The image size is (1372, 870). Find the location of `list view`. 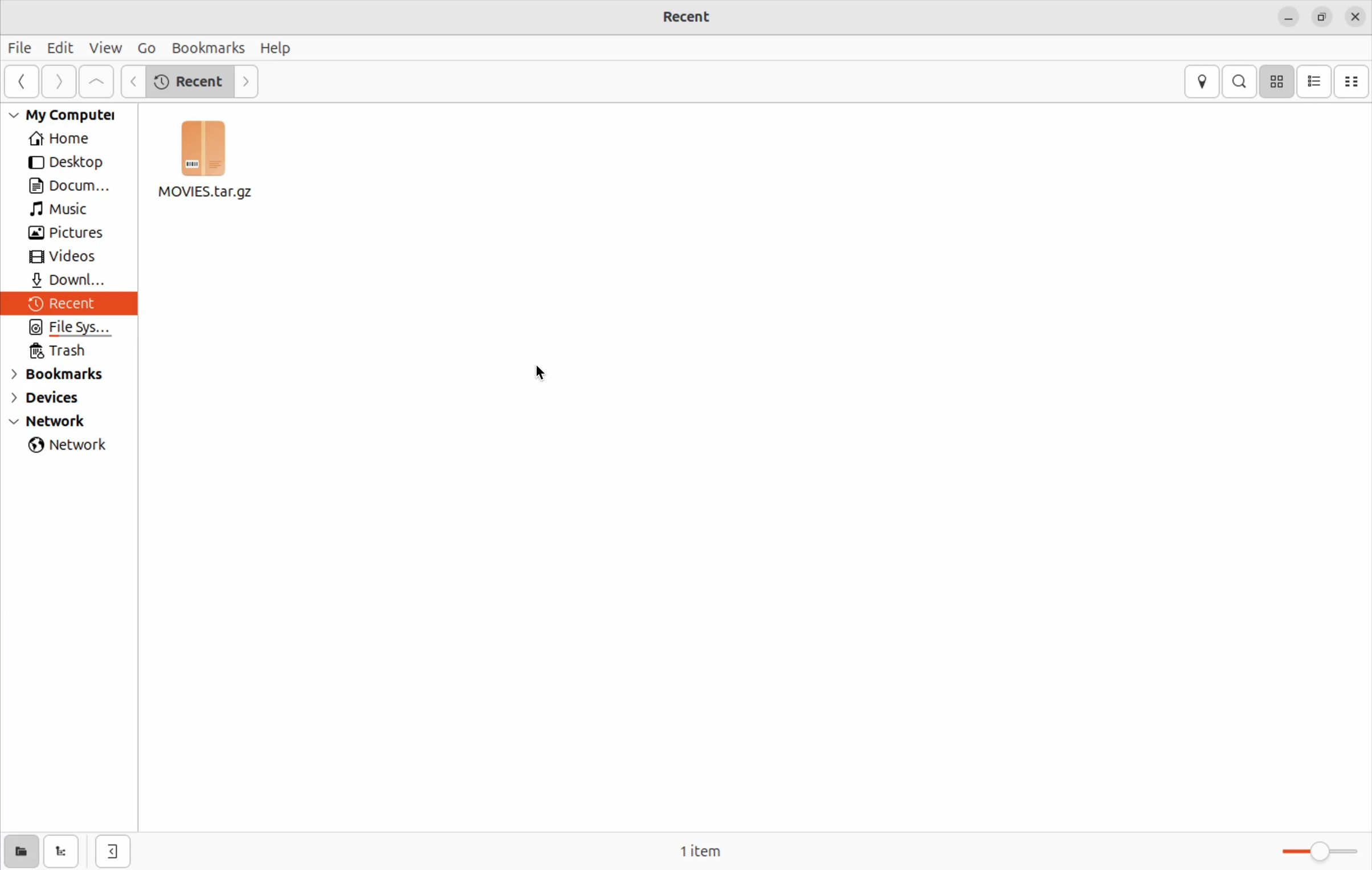

list view is located at coordinates (1317, 82).